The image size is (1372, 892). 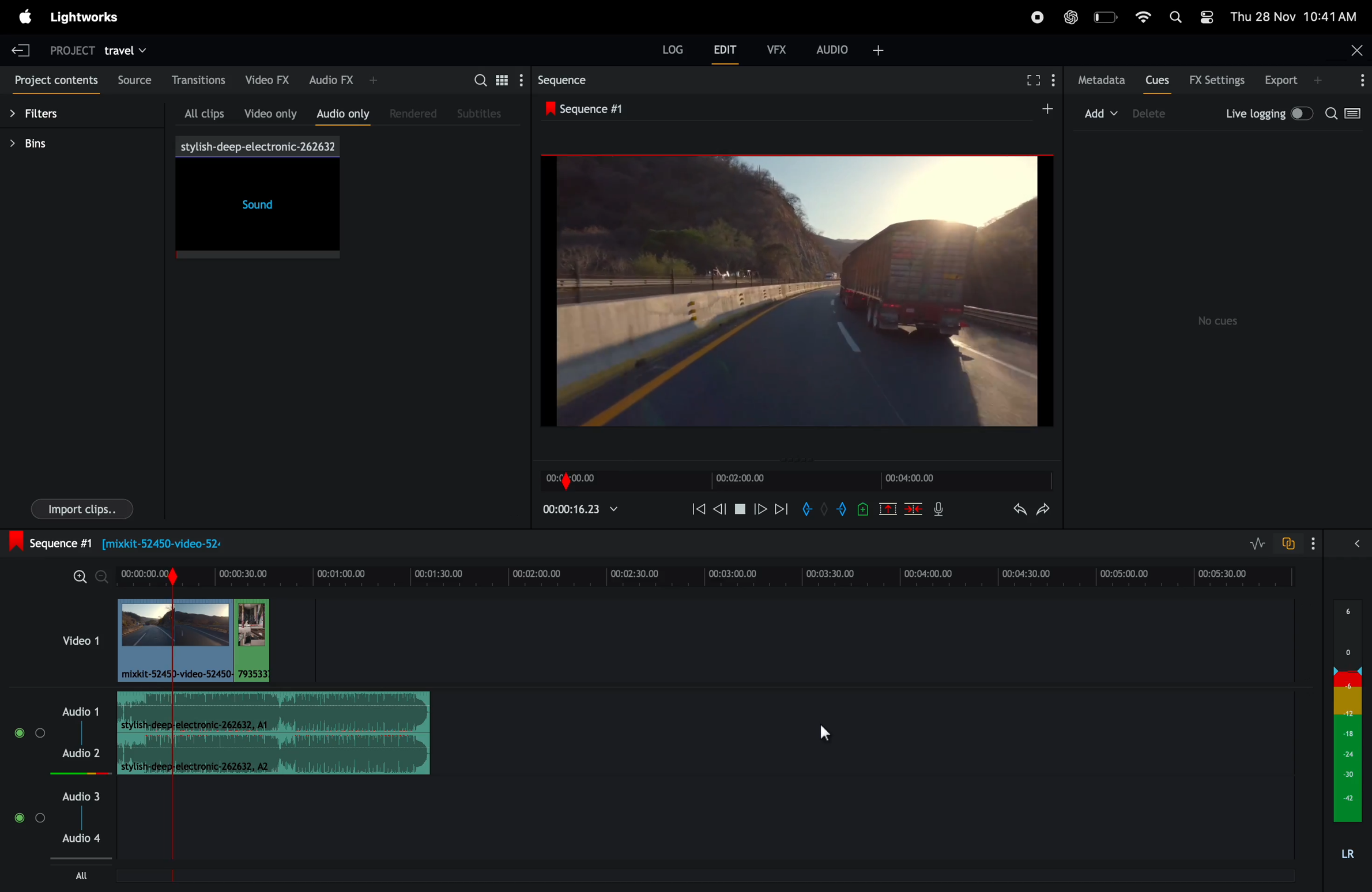 I want to click on redo, so click(x=1044, y=508).